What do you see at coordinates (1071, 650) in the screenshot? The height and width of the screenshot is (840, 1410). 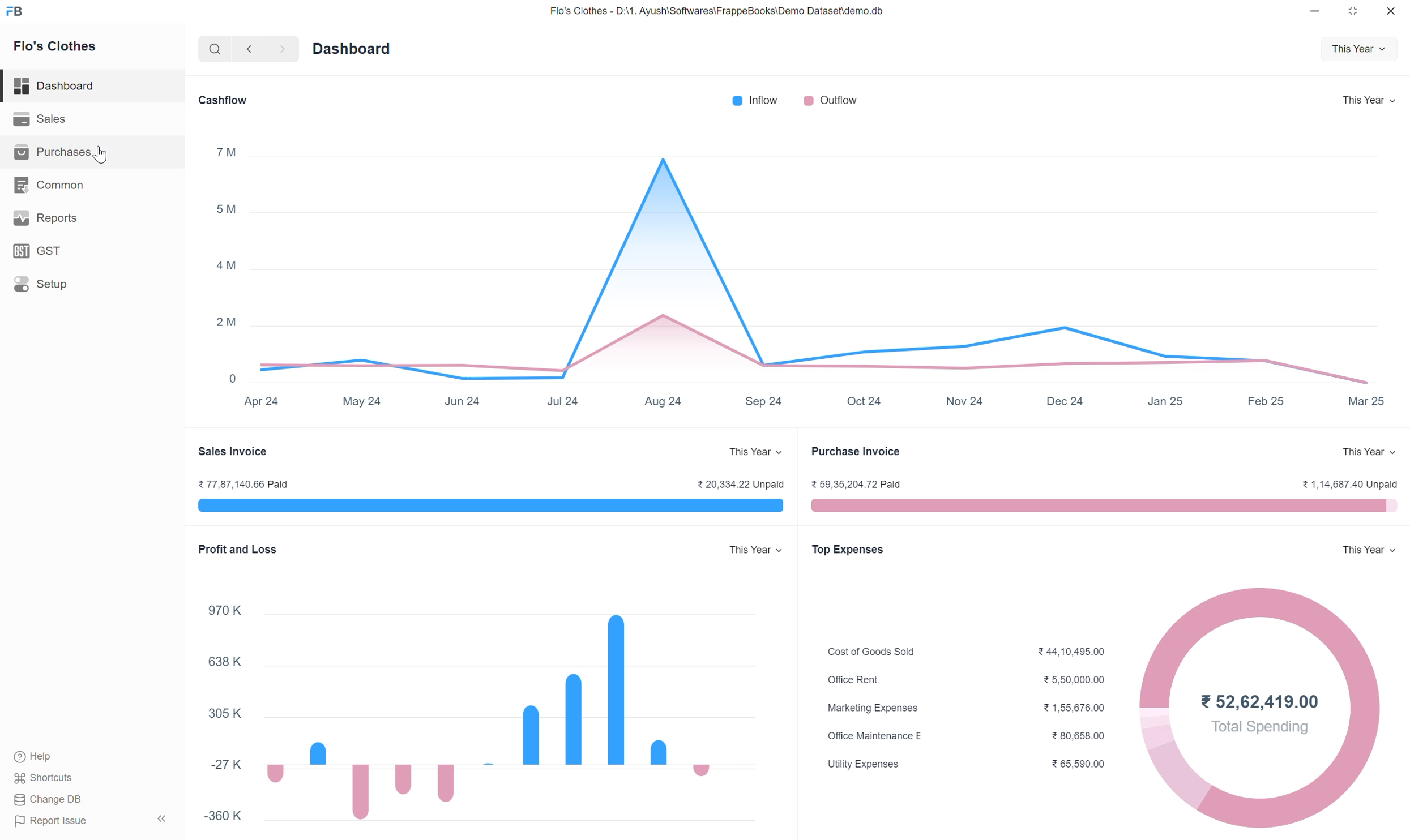 I see `₹ 44,101,495` at bounding box center [1071, 650].